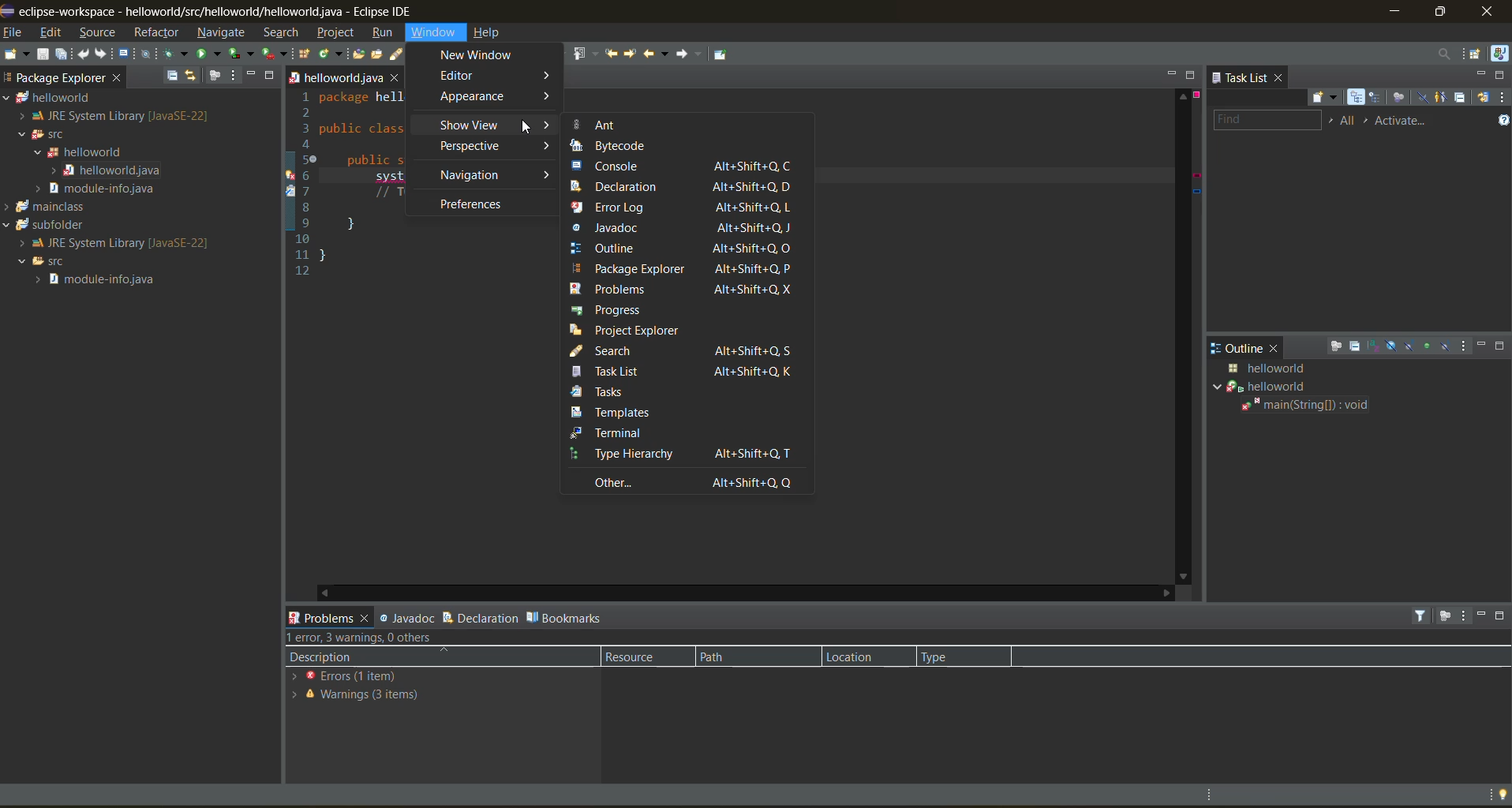 The image size is (1512, 808). Describe the element at coordinates (1349, 121) in the screenshot. I see `edit task working sets` at that location.